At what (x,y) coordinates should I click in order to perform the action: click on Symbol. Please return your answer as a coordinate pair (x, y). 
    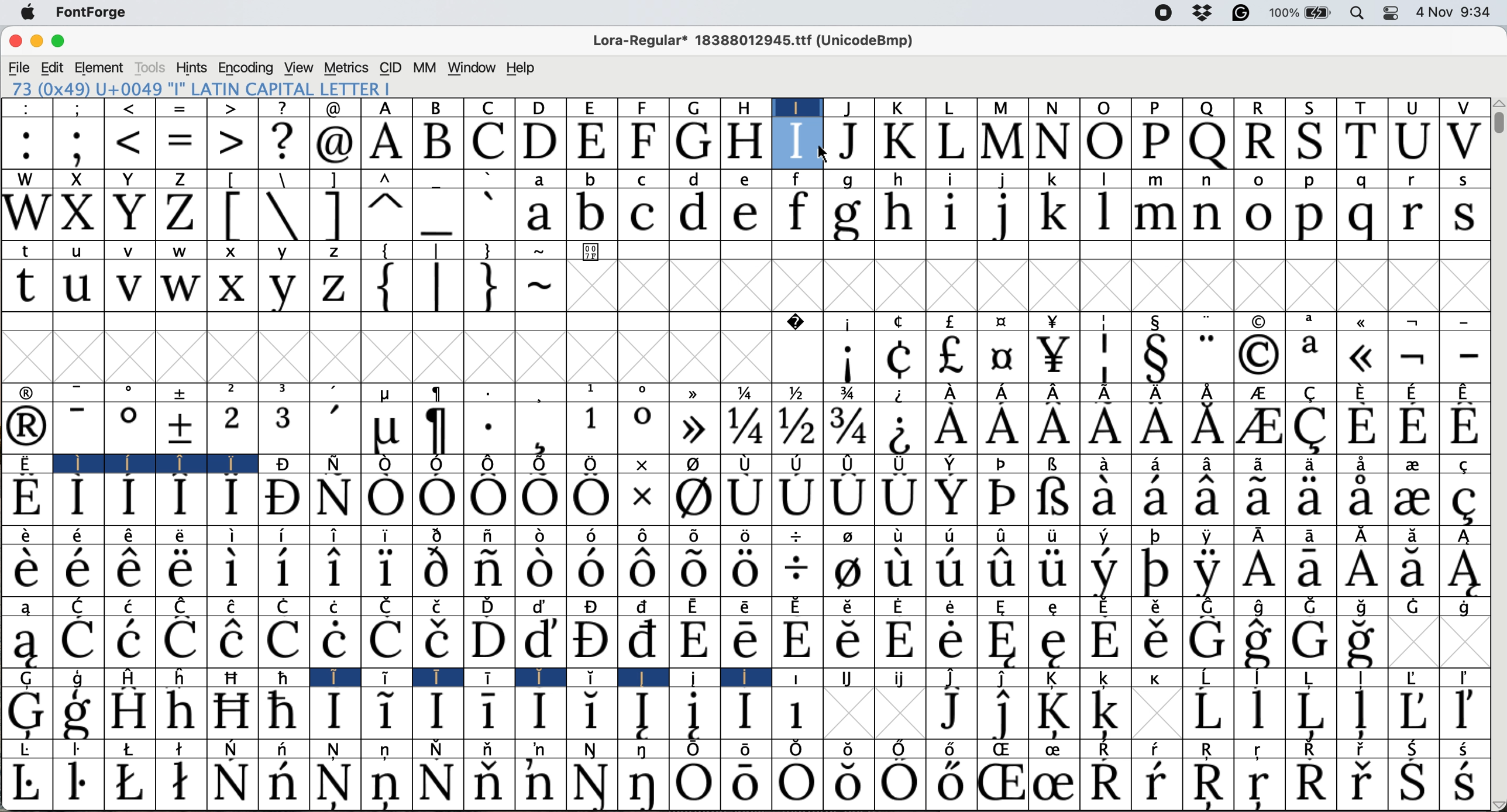
    Looking at the image, I should click on (1315, 535).